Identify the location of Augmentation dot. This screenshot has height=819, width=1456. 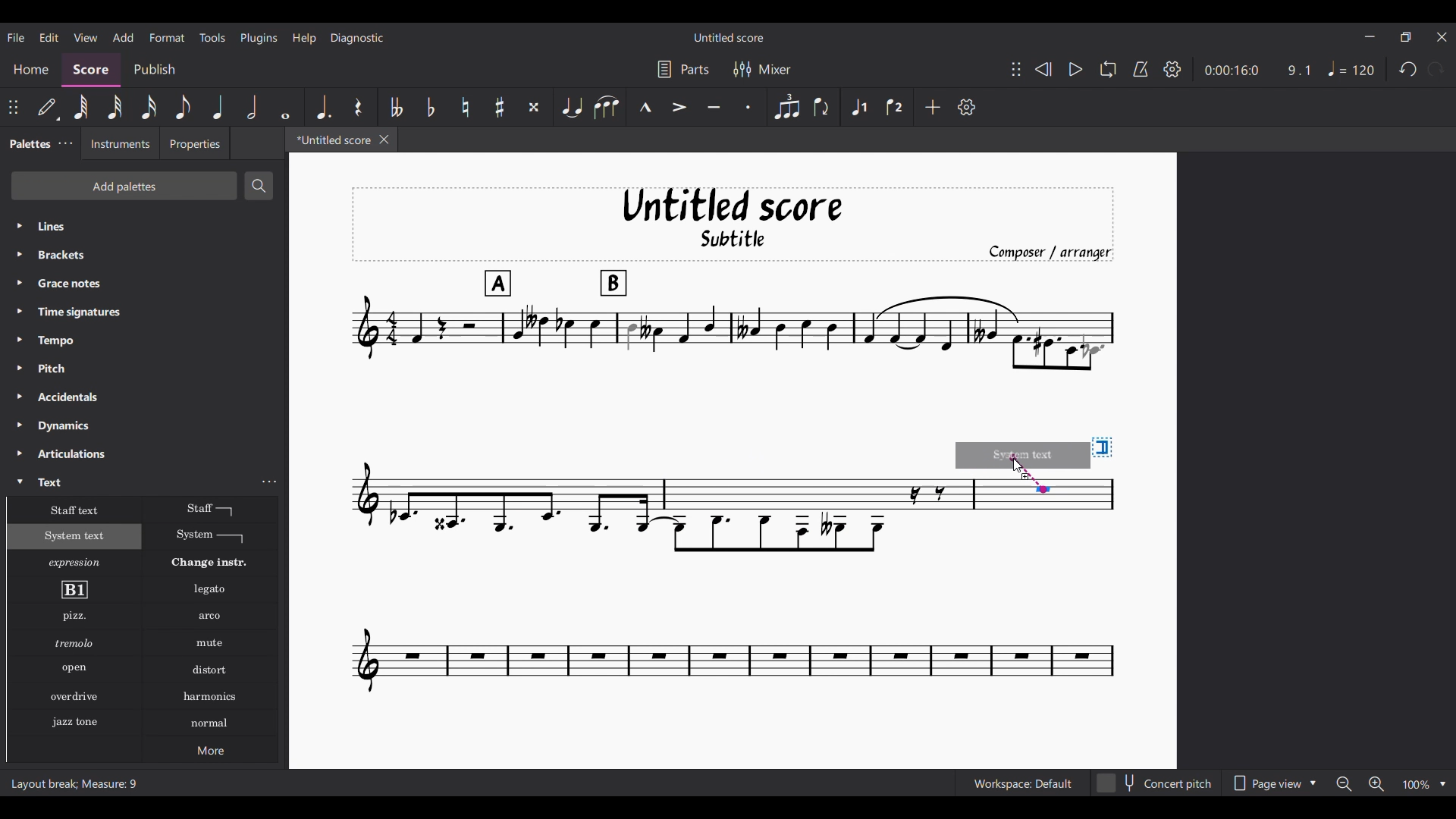
(322, 107).